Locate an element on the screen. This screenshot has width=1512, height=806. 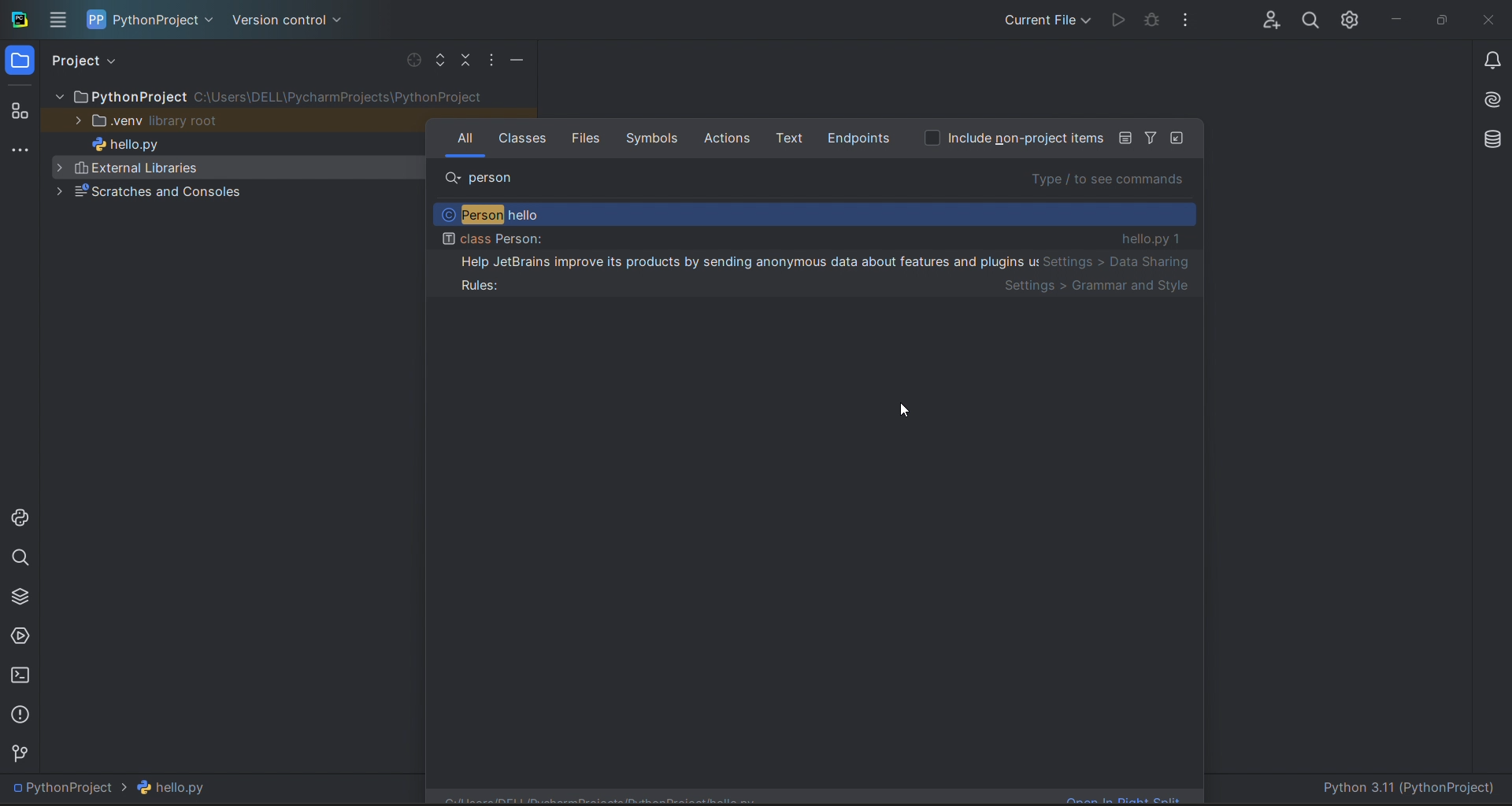
option is located at coordinates (1012, 139).